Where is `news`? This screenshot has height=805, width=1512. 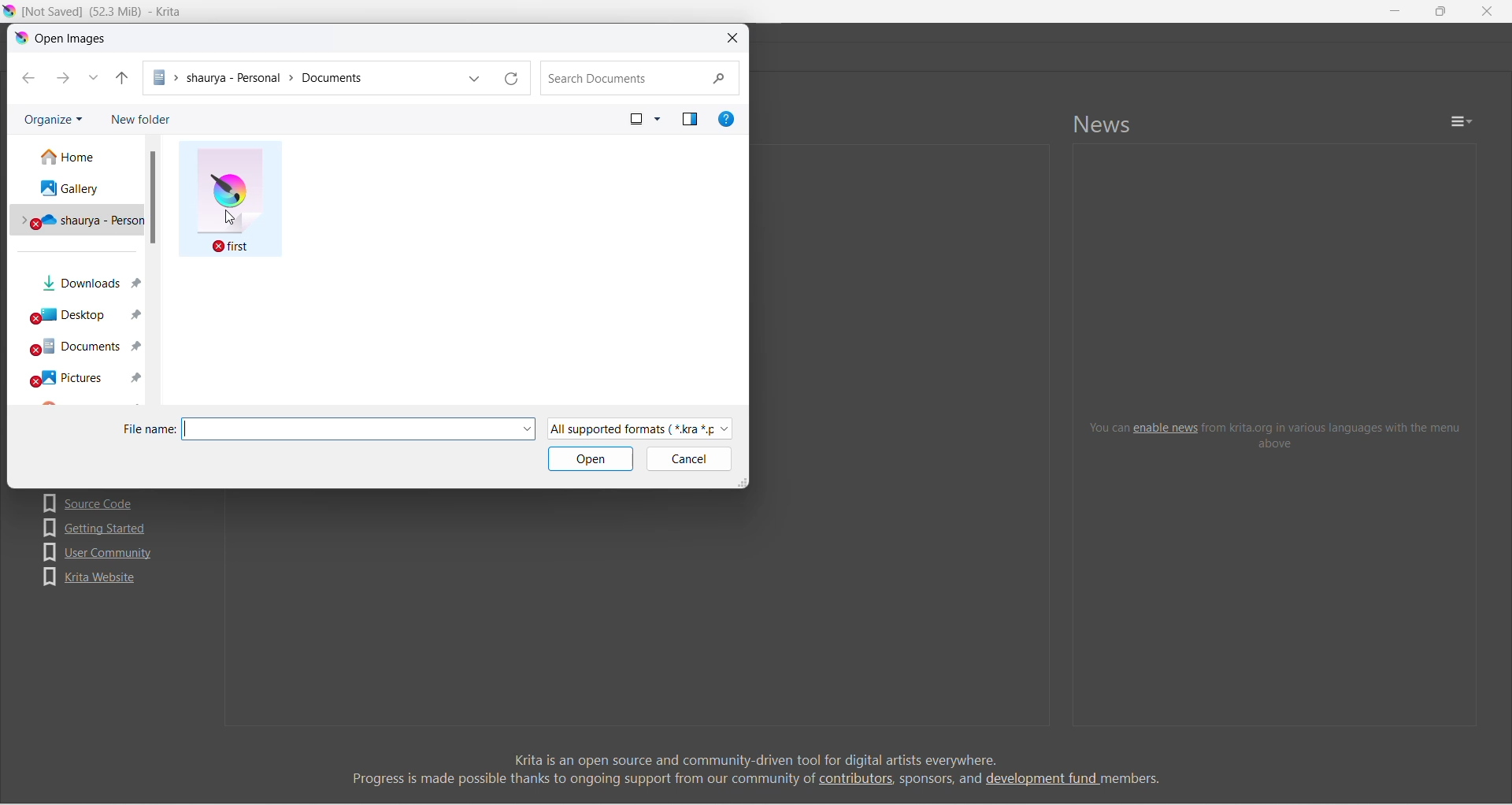
news is located at coordinates (1103, 124).